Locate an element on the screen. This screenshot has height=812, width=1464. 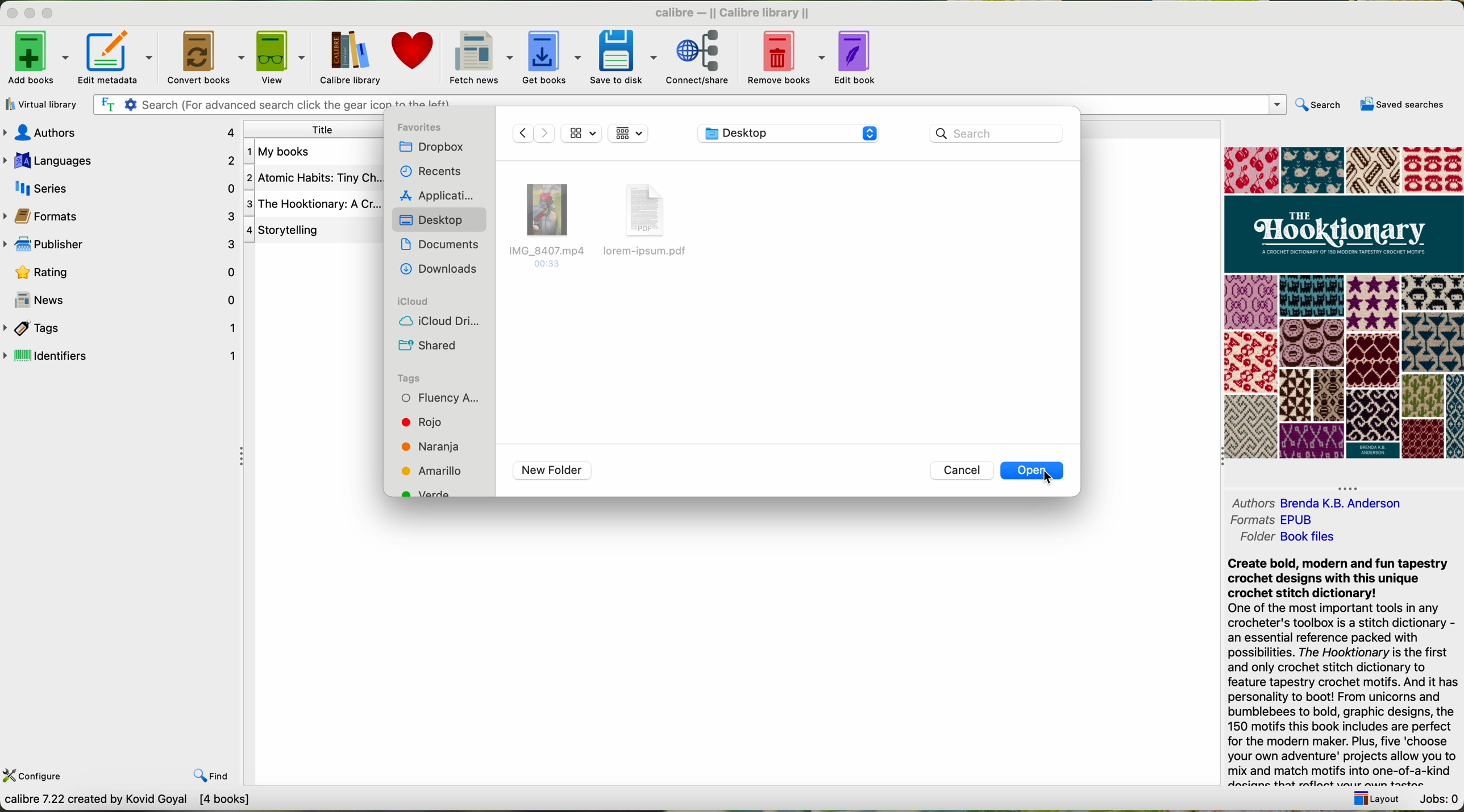
search bar is located at coordinates (996, 134).